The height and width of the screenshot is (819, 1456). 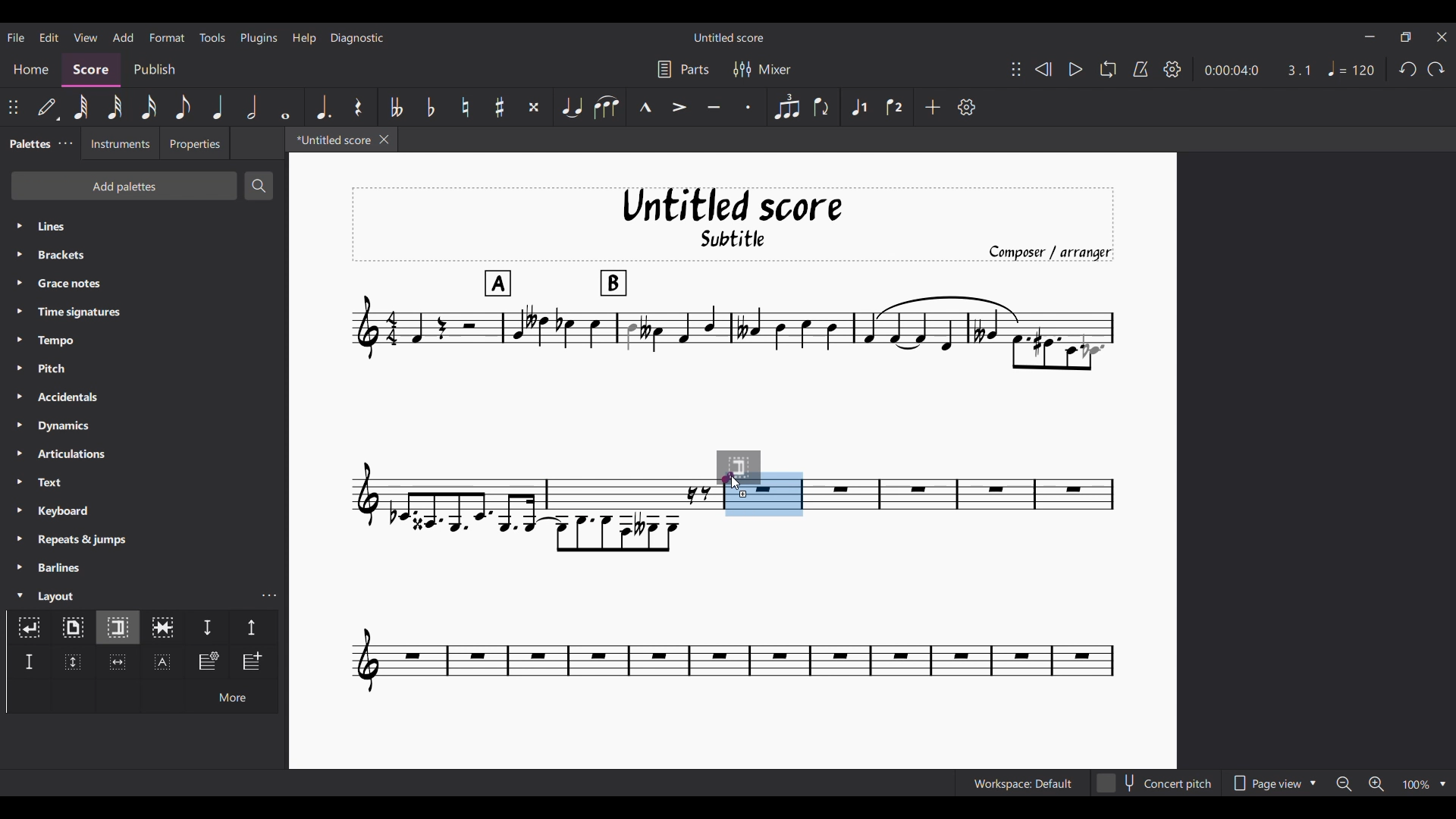 What do you see at coordinates (287, 107) in the screenshot?
I see `Whole note` at bounding box center [287, 107].